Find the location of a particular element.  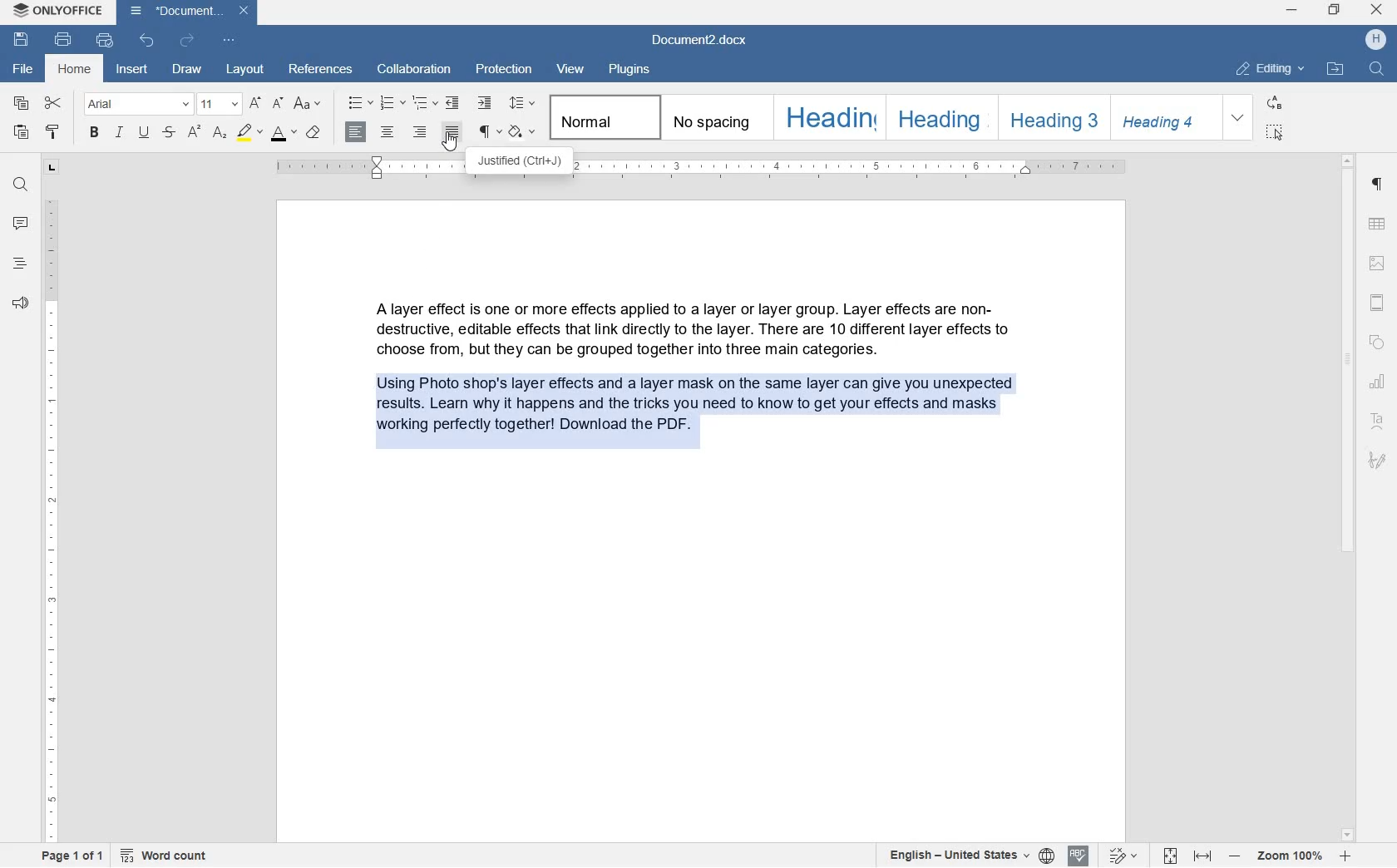

CURSOR is located at coordinates (452, 143).